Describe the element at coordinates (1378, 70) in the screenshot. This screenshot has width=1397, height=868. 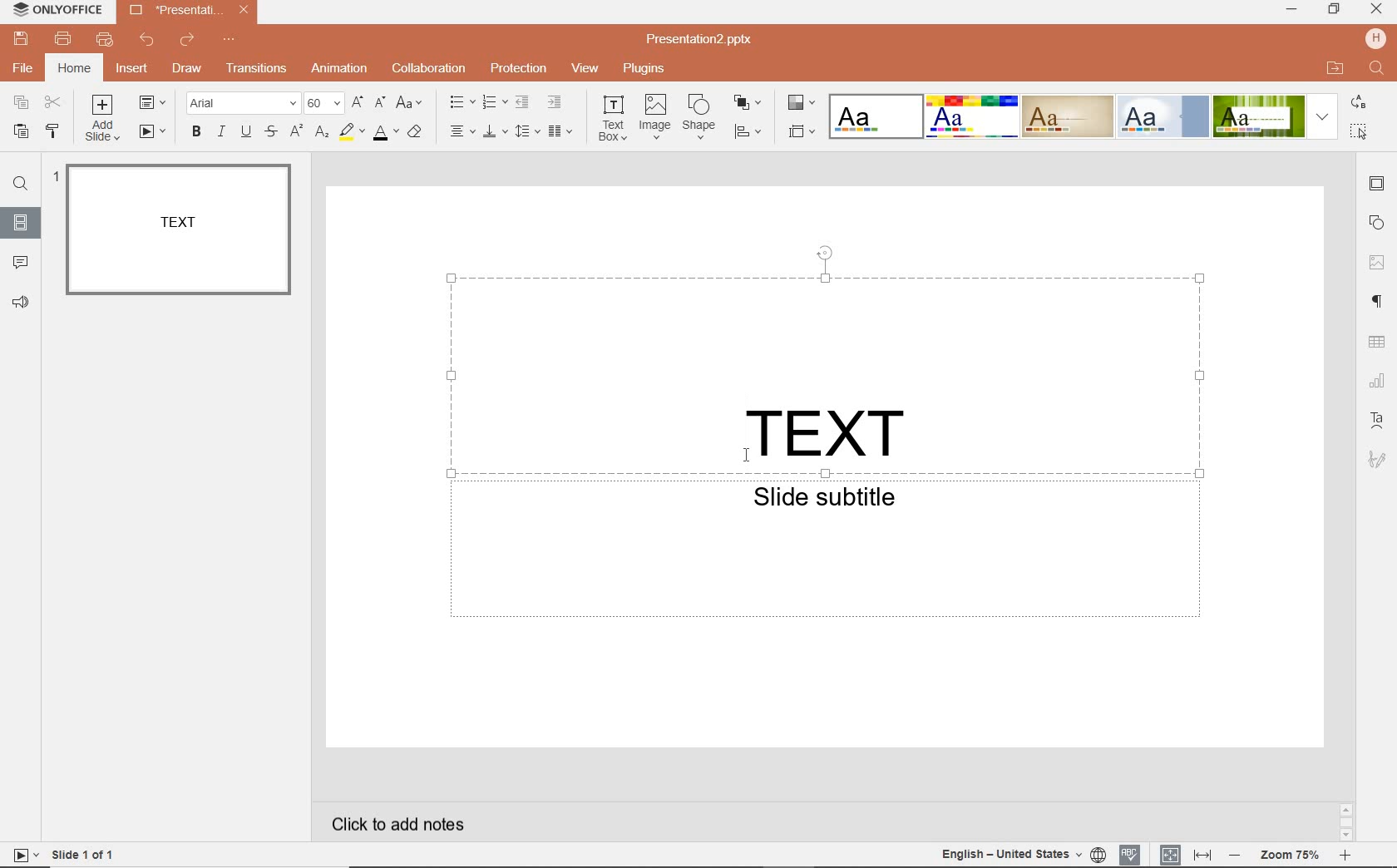
I see `find` at that location.